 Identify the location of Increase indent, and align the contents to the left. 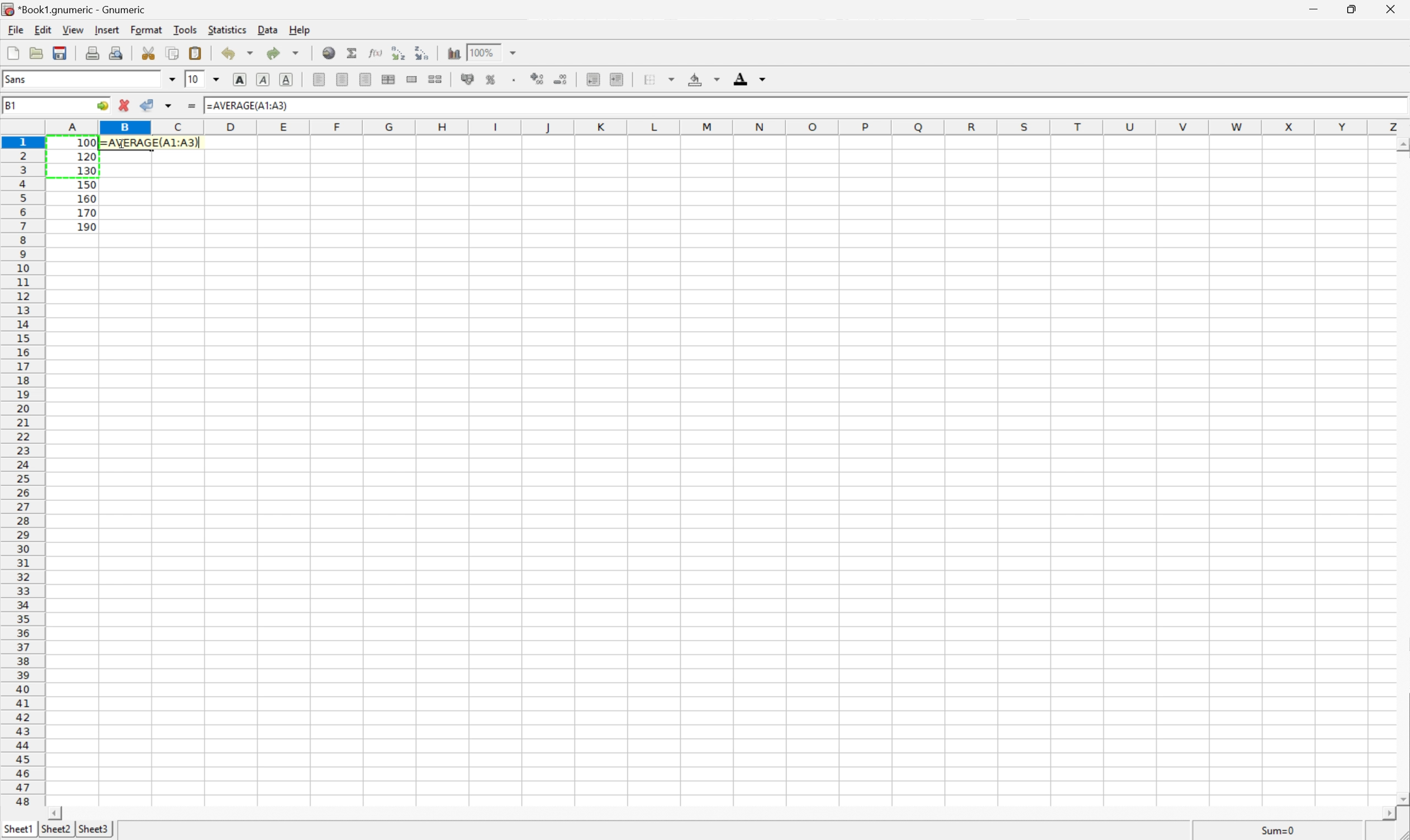
(619, 80).